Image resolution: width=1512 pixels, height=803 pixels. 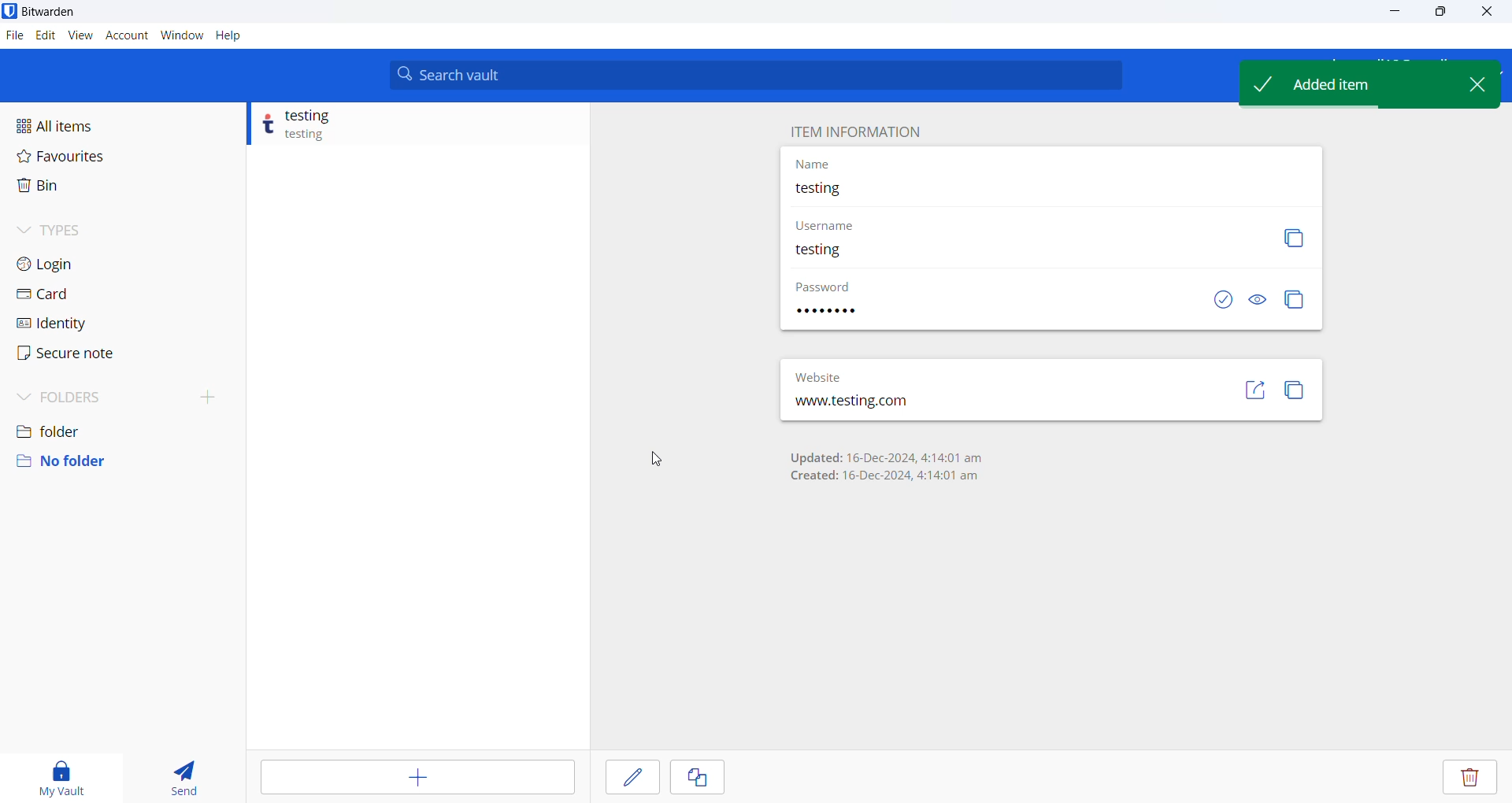 What do you see at coordinates (89, 156) in the screenshot?
I see `favourites` at bounding box center [89, 156].